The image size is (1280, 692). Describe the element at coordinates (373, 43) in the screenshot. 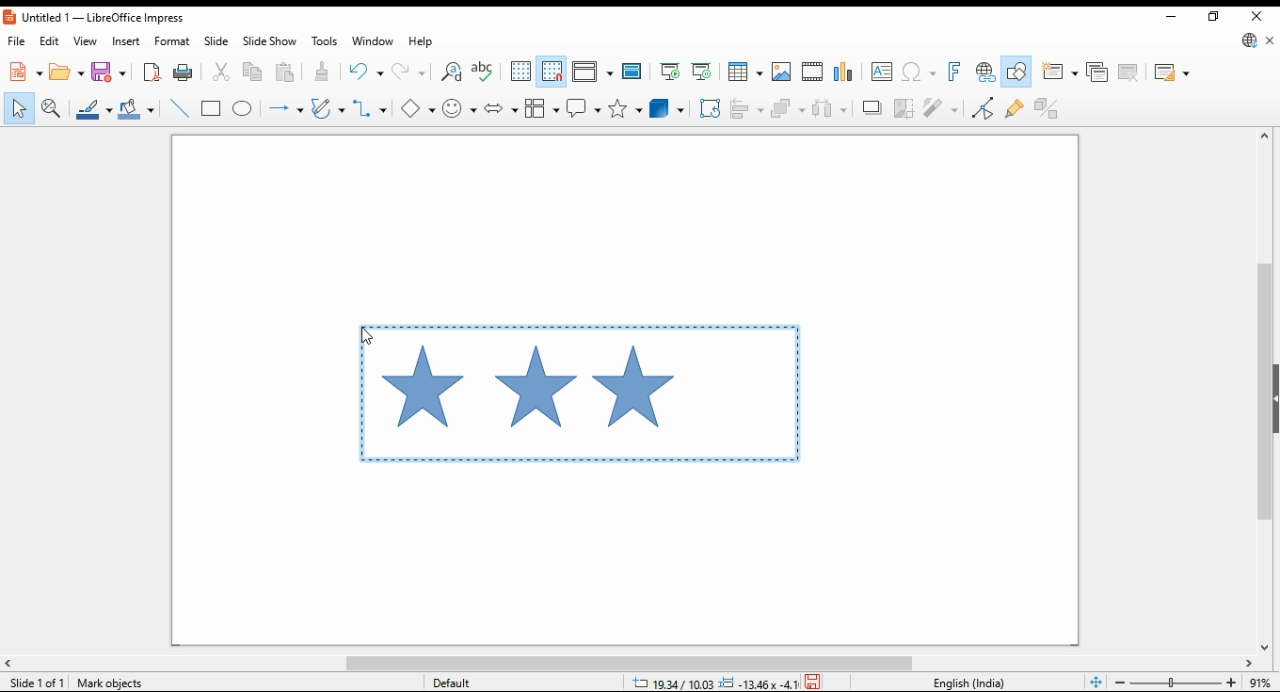

I see `window` at that location.